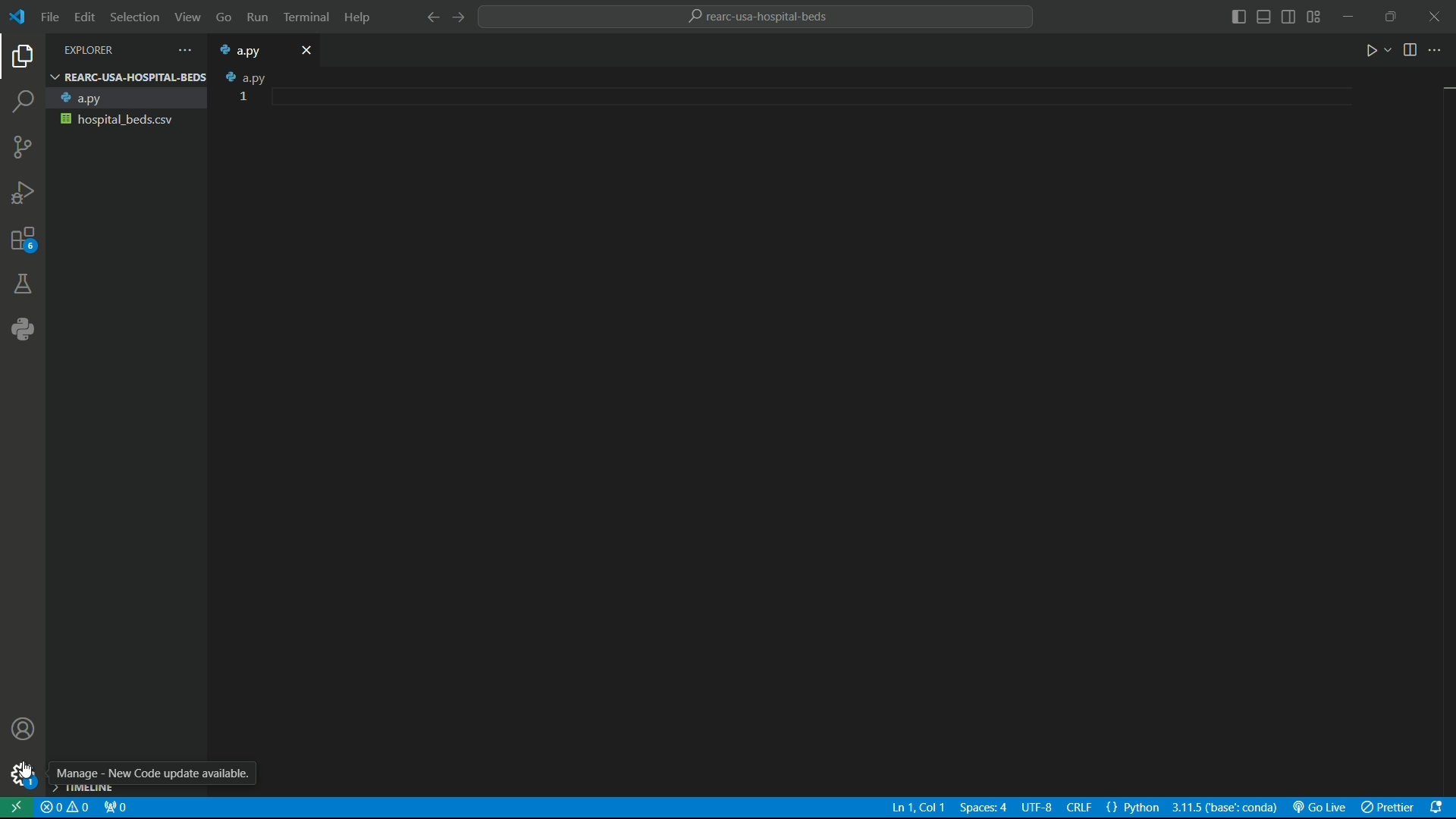 The height and width of the screenshot is (819, 1456). What do you see at coordinates (1225, 808) in the screenshot?
I see `3.11.5 ('base':conda)` at bounding box center [1225, 808].